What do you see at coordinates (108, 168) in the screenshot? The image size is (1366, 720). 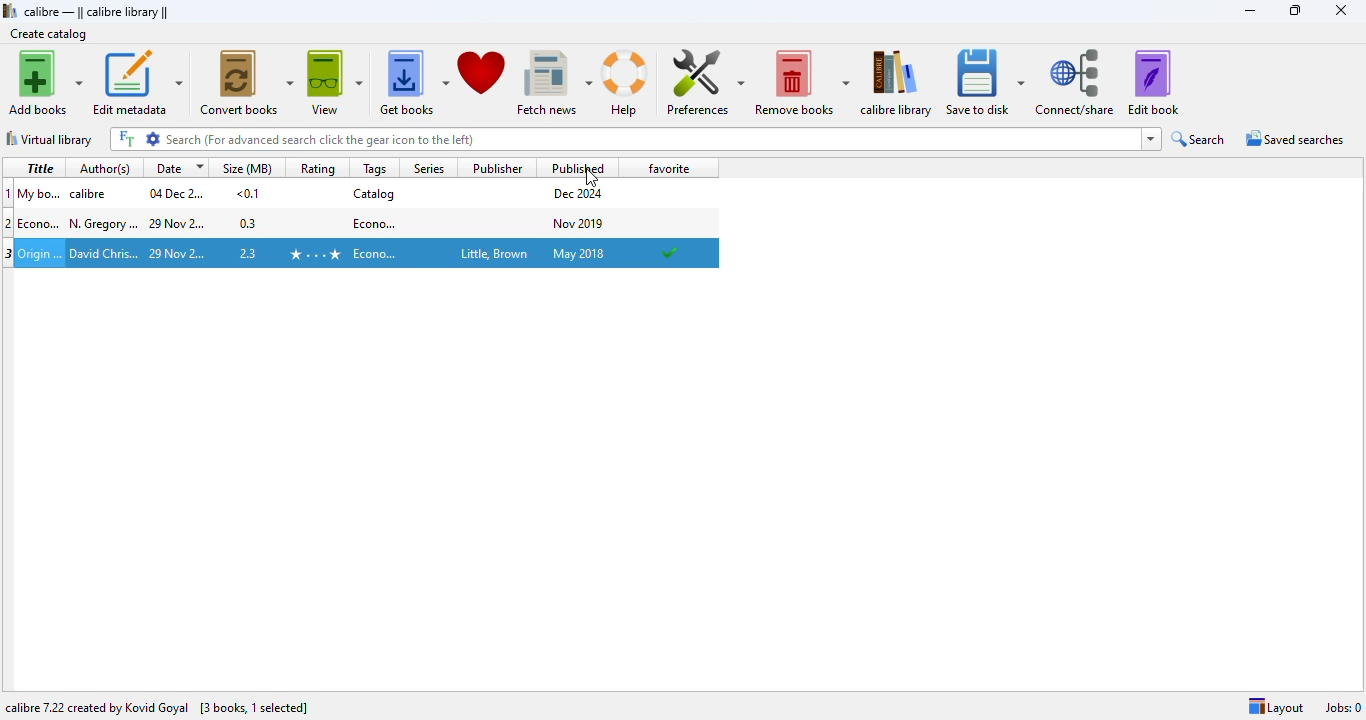 I see `author(s)` at bounding box center [108, 168].